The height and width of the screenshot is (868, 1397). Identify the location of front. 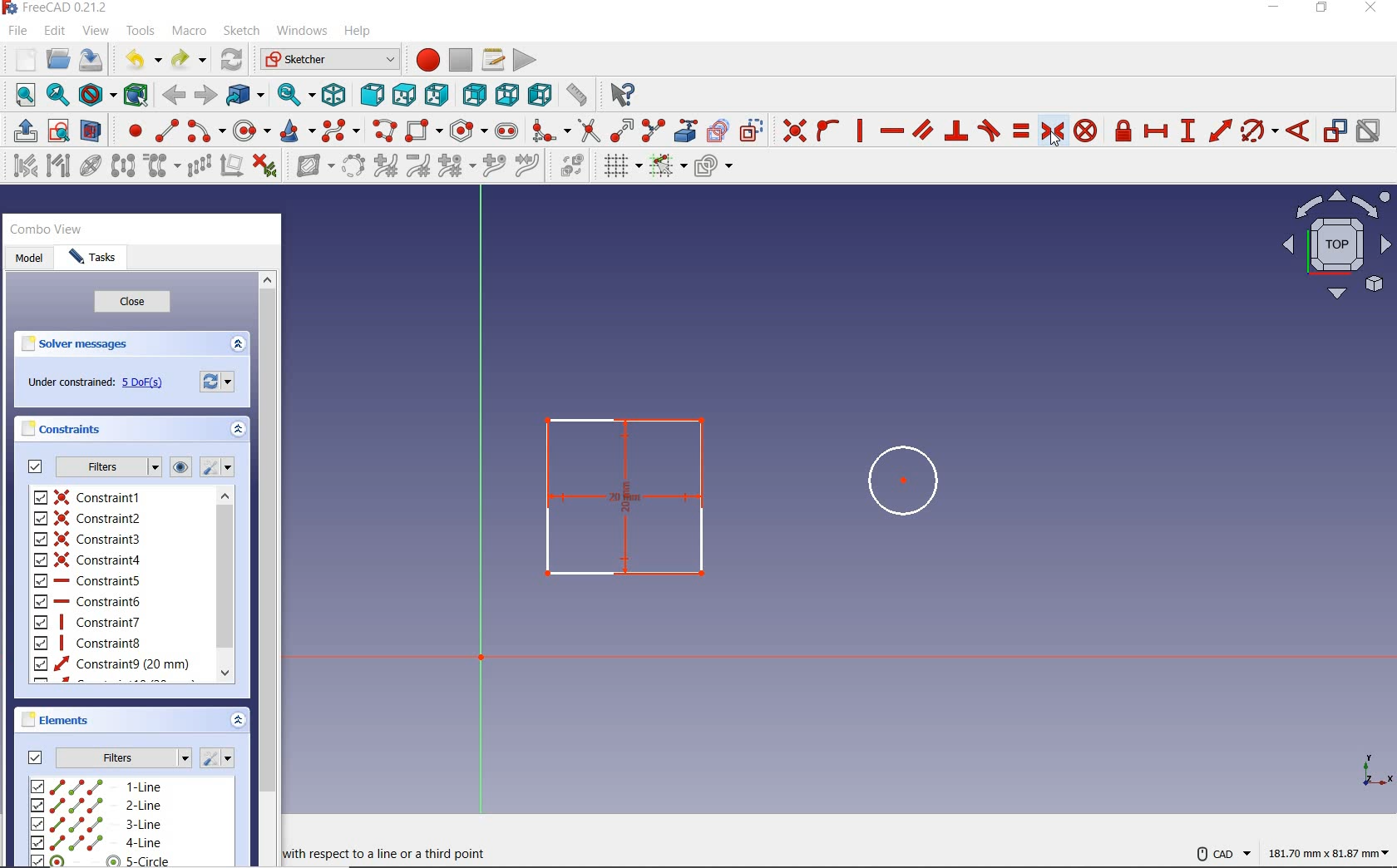
(371, 94).